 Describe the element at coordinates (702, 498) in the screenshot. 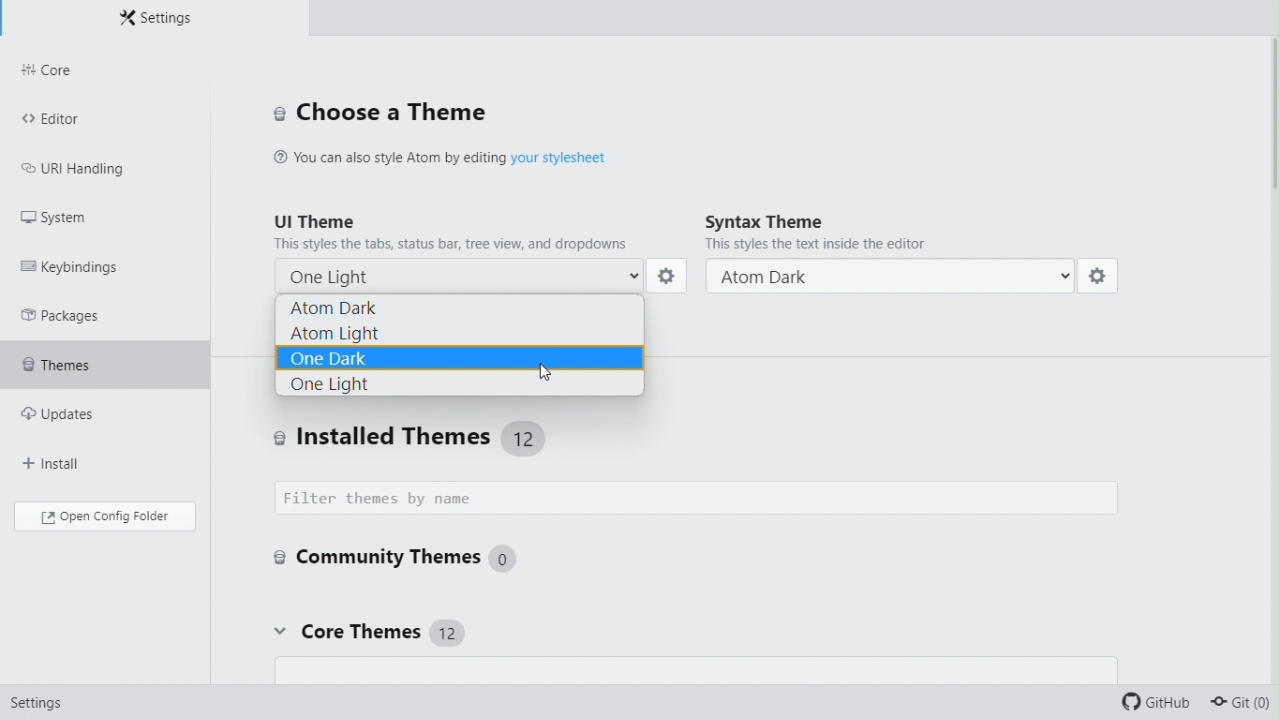

I see `Filter themes by name` at that location.